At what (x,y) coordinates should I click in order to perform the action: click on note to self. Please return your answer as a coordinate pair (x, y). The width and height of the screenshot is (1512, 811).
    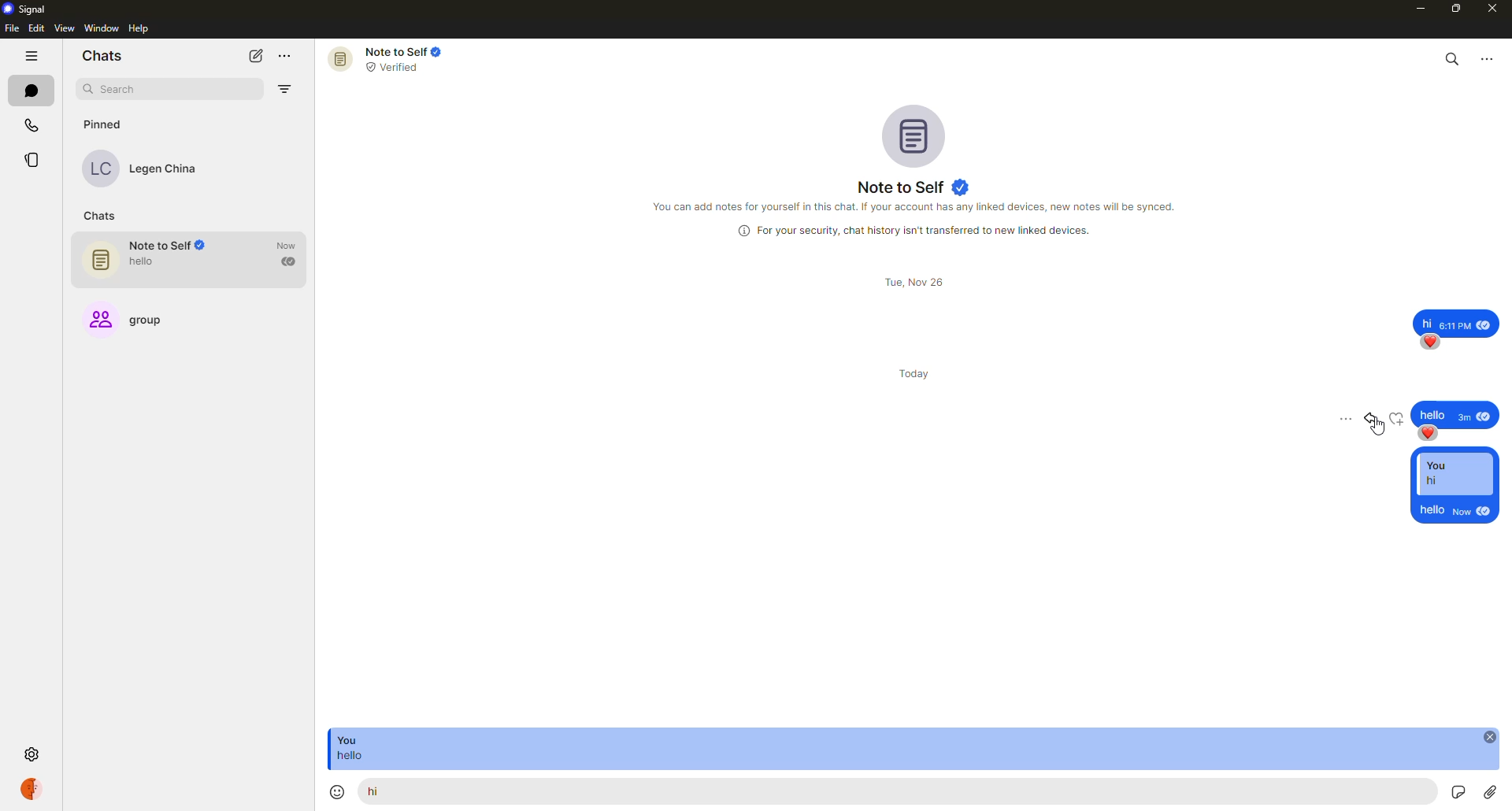
    Looking at the image, I should click on (914, 184).